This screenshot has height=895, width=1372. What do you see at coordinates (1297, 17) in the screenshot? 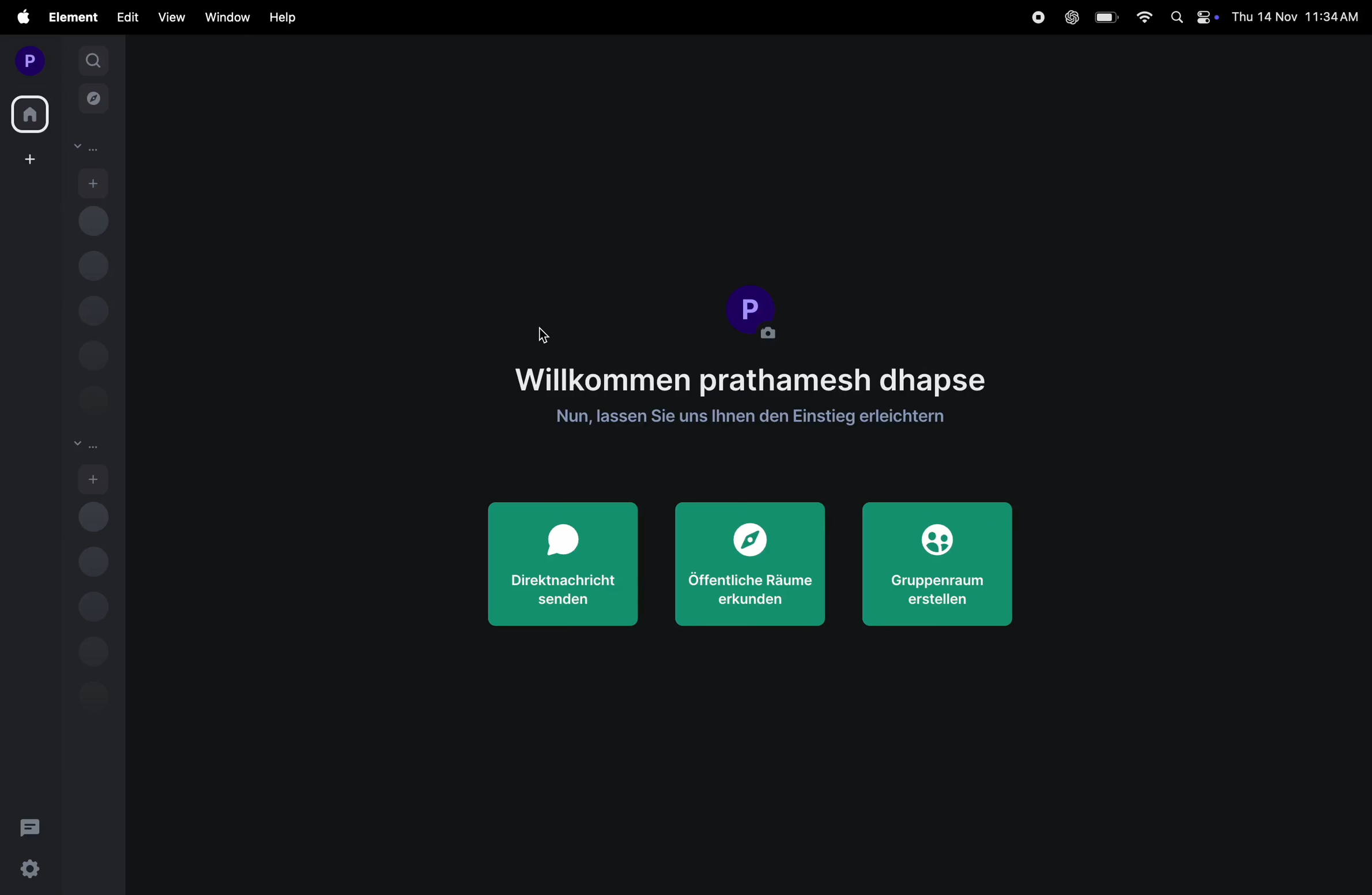
I see `Date and time` at bounding box center [1297, 17].